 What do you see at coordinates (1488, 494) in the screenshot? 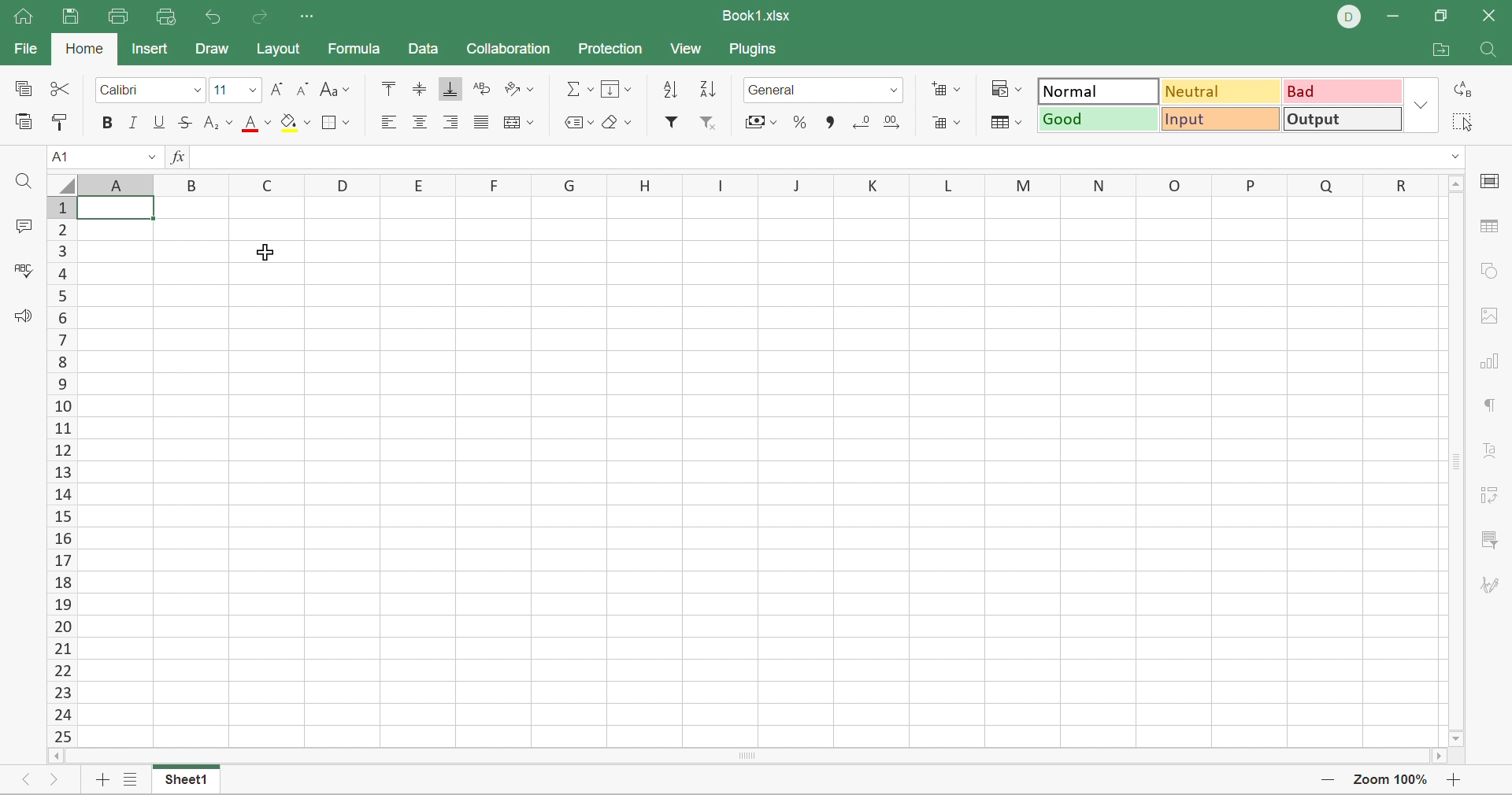
I see `pivot table settings` at bounding box center [1488, 494].